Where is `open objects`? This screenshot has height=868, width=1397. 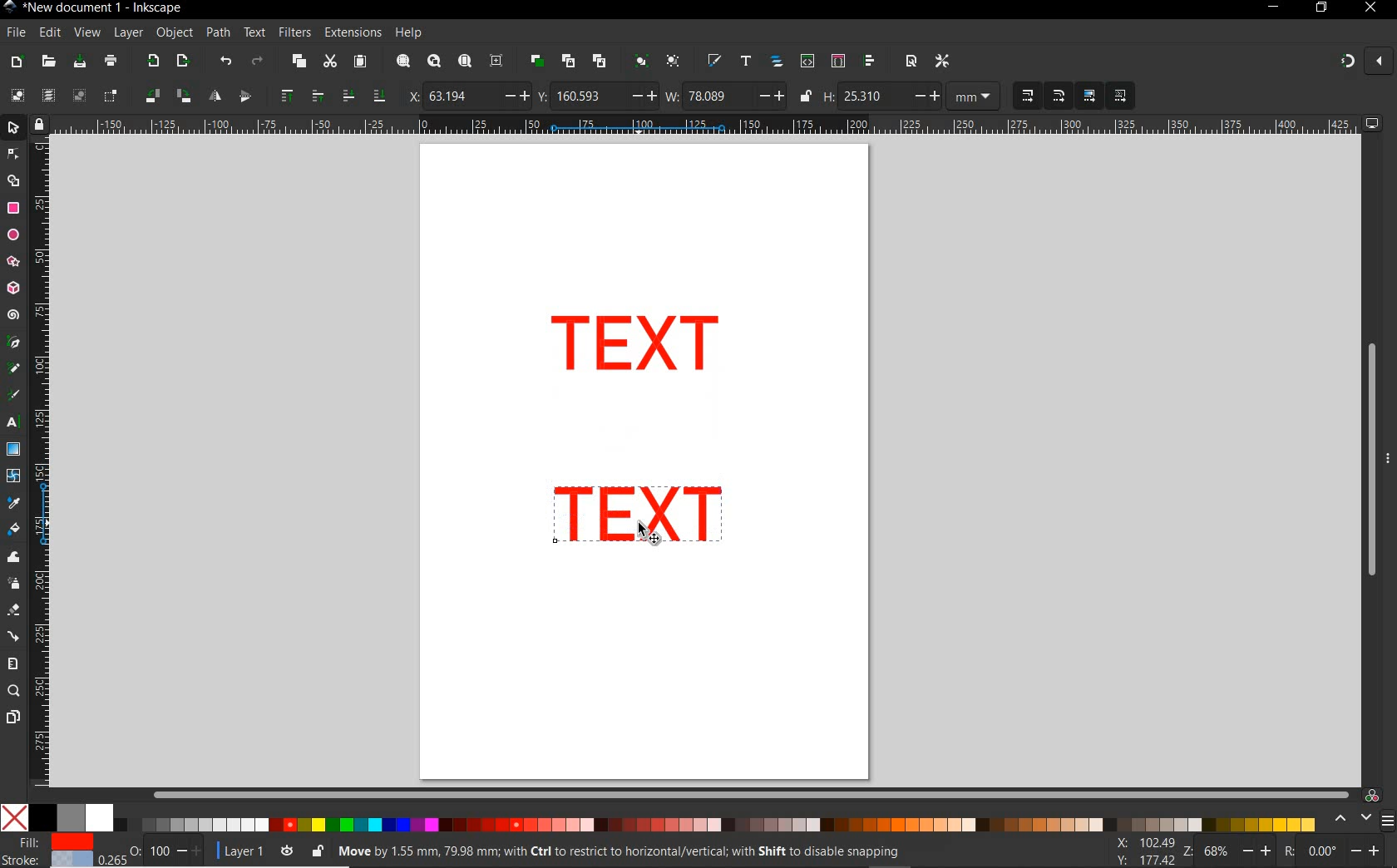
open objects is located at coordinates (777, 63).